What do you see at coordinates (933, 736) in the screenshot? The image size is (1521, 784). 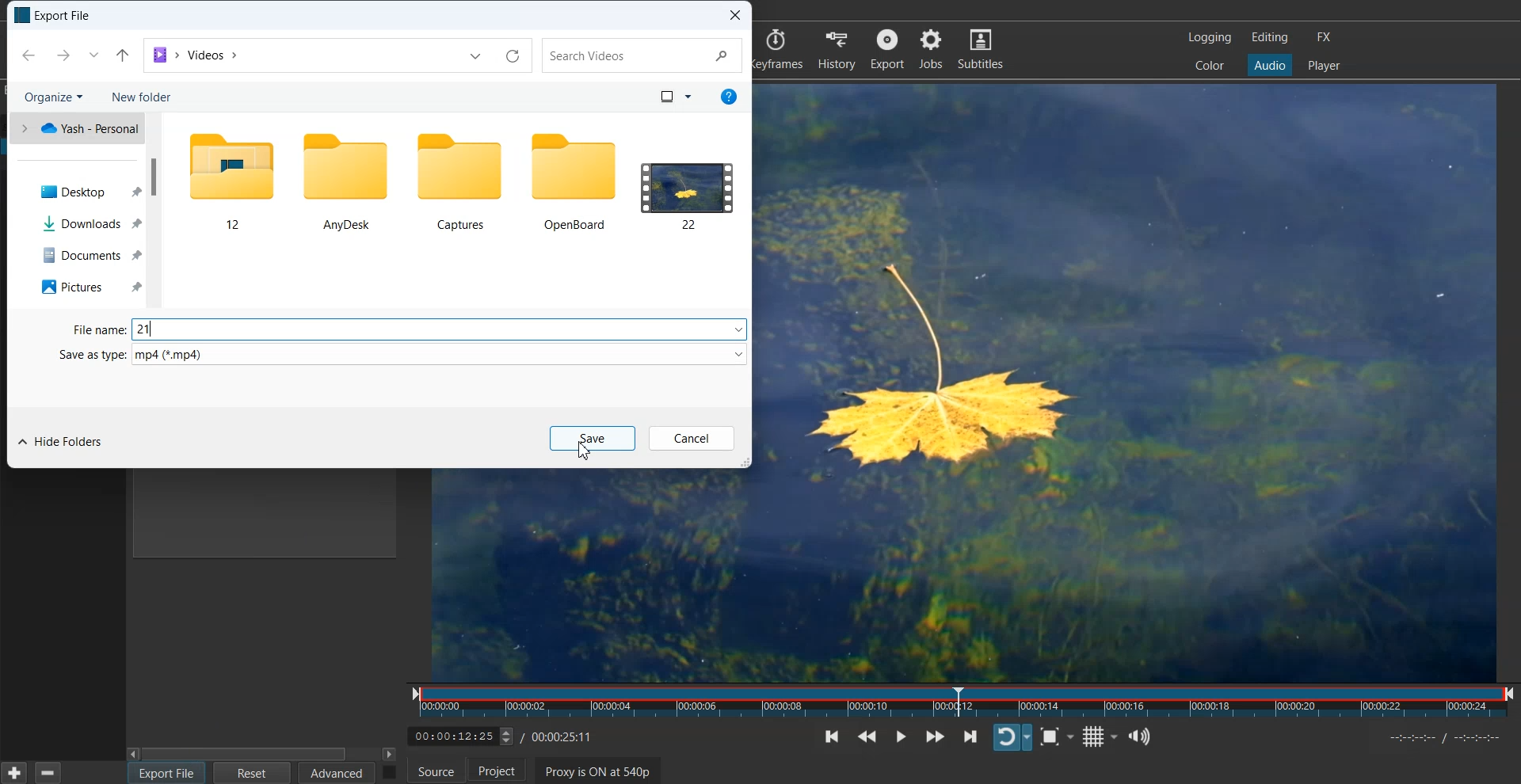 I see `Play quickly forwards` at bounding box center [933, 736].